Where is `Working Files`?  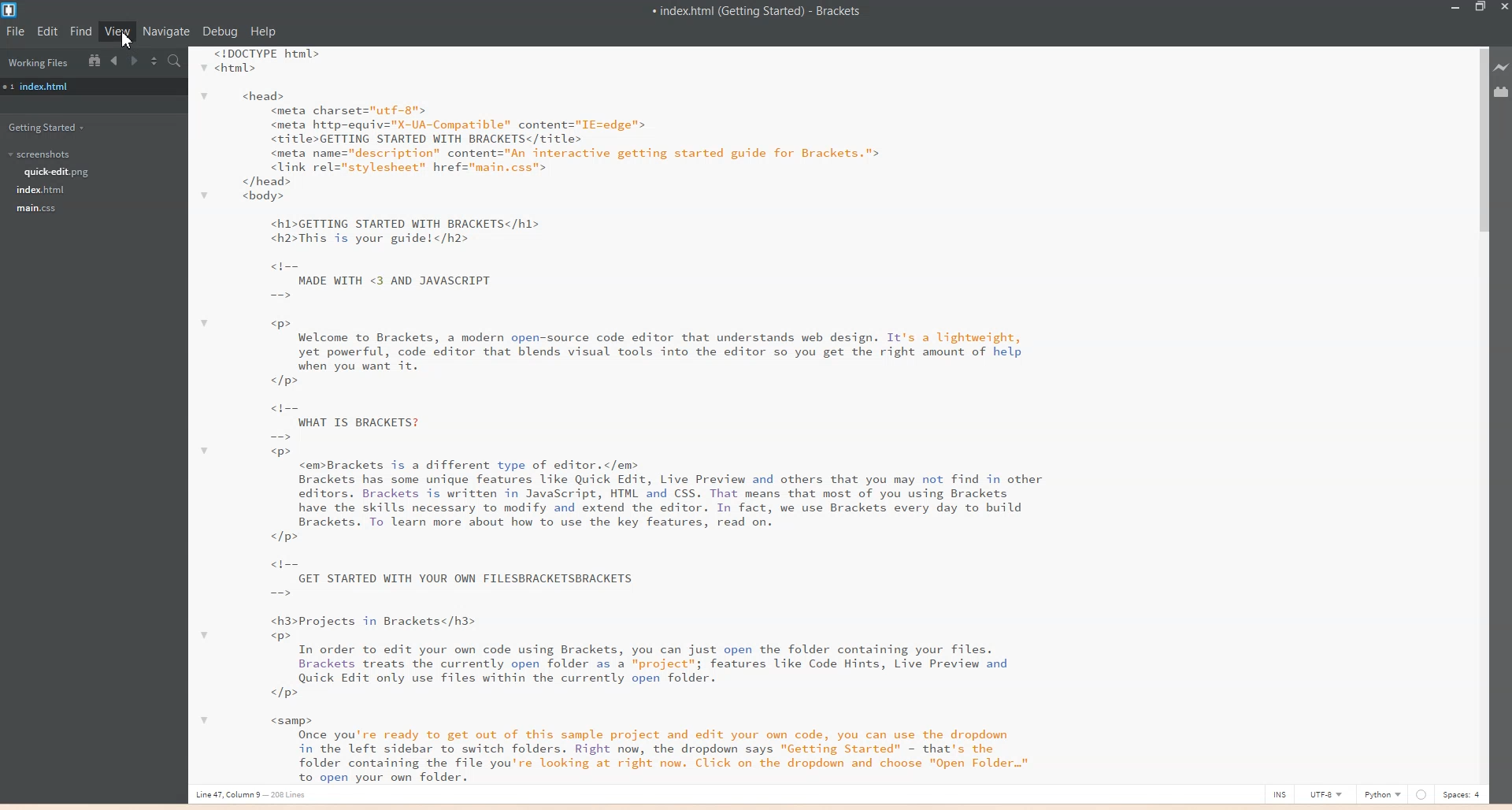
Working Files is located at coordinates (37, 61).